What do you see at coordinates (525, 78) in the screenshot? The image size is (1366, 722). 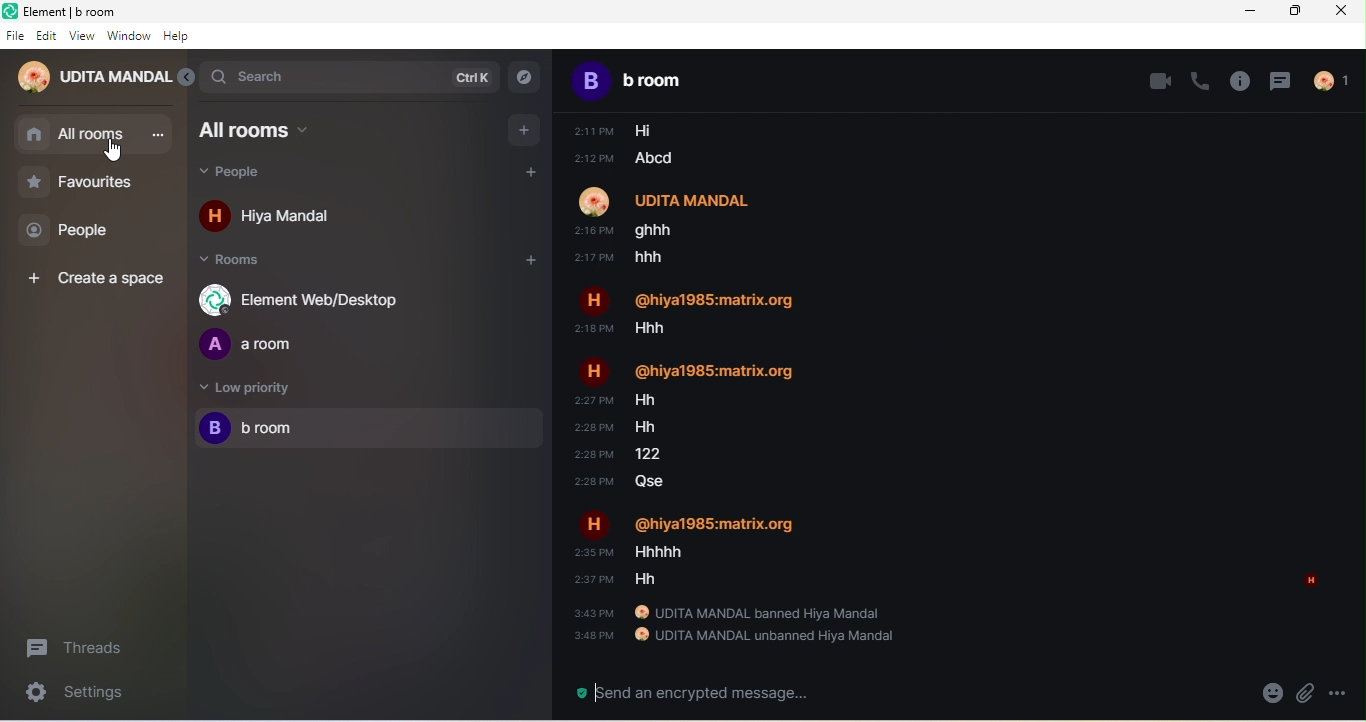 I see `explore` at bounding box center [525, 78].